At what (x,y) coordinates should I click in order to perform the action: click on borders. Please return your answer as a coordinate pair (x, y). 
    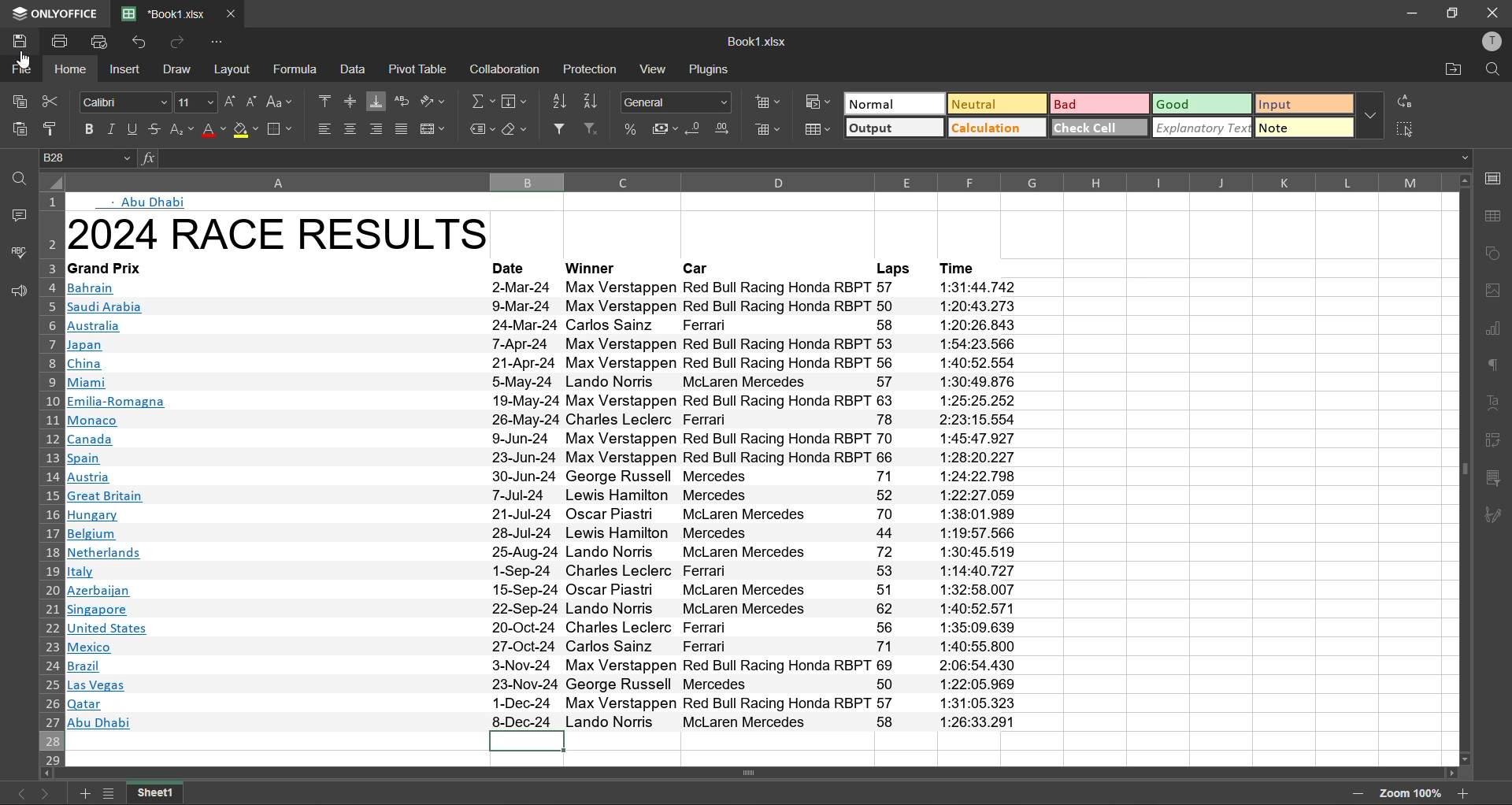
    Looking at the image, I should click on (283, 129).